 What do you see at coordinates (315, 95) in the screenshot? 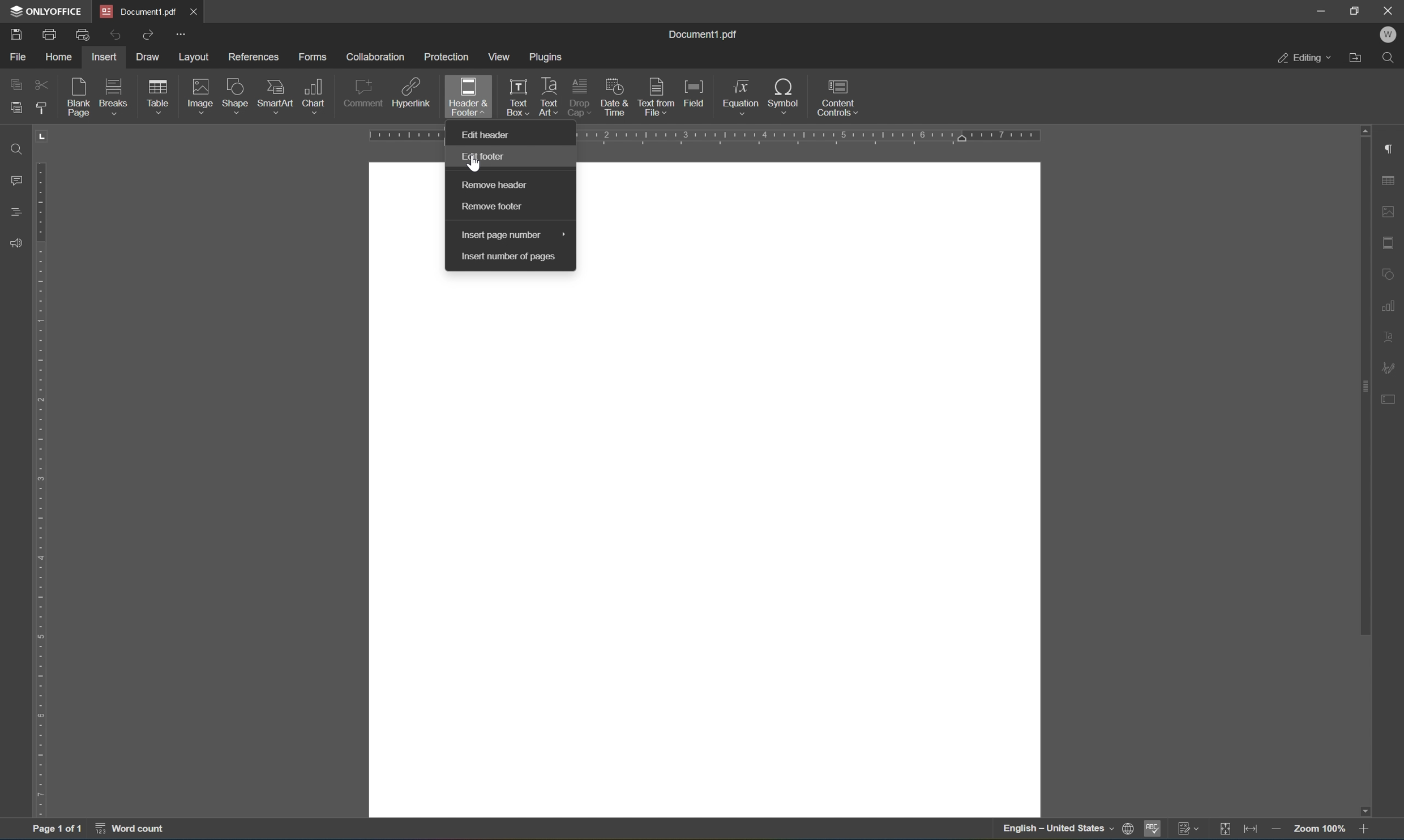
I see `chart` at bounding box center [315, 95].